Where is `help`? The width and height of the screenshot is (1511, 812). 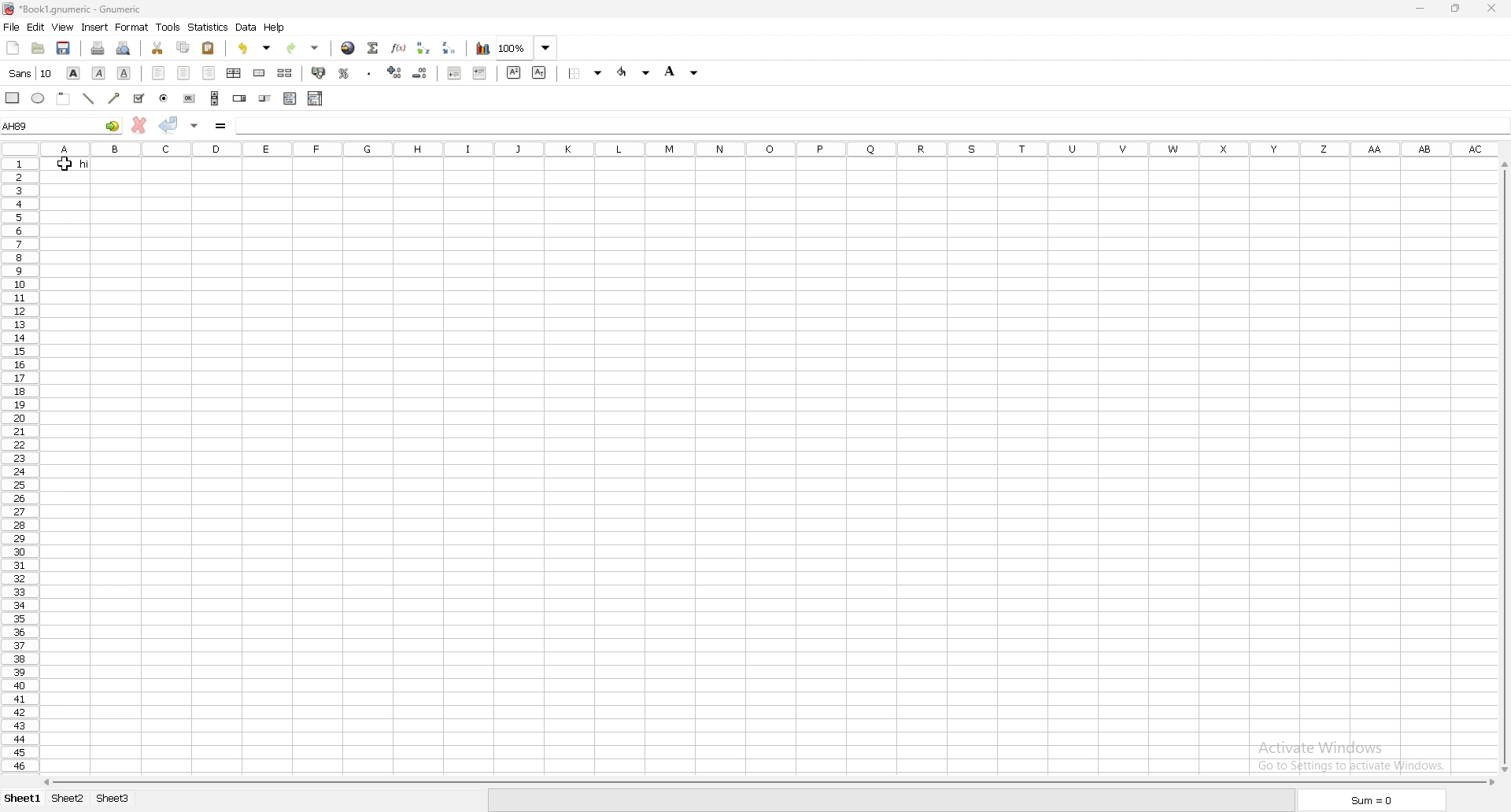 help is located at coordinates (275, 28).